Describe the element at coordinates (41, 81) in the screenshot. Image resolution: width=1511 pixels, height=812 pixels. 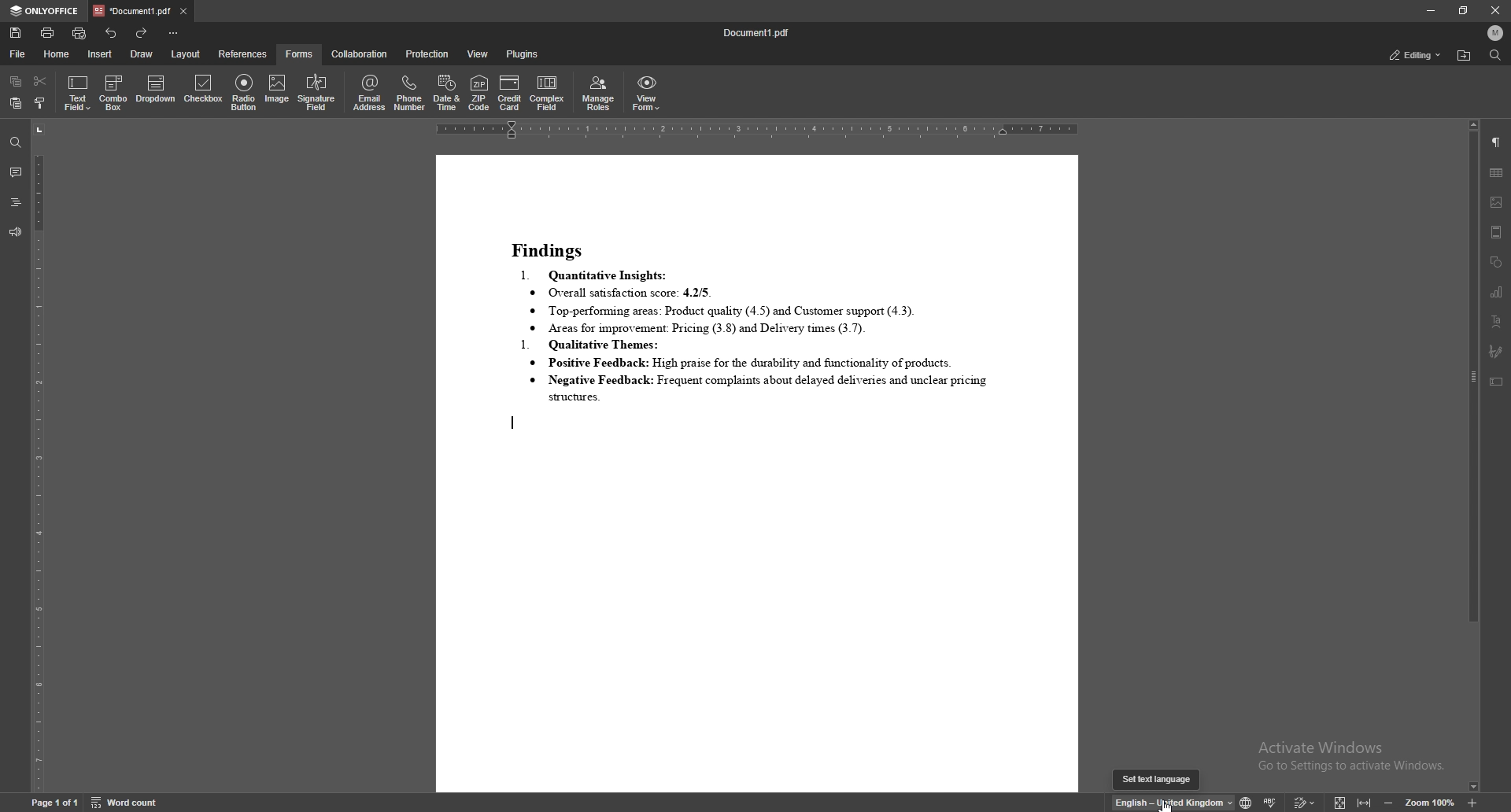
I see `cut` at that location.